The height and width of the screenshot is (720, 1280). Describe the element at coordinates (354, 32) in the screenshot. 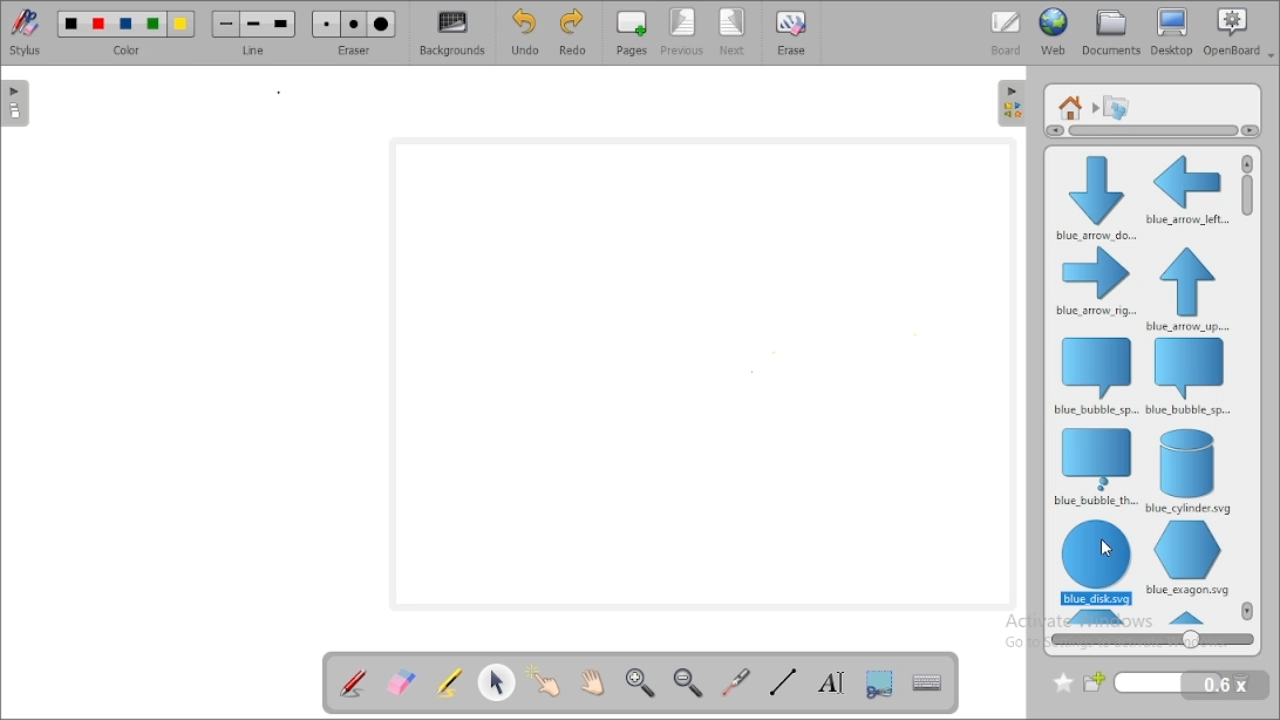

I see `eraser` at that location.